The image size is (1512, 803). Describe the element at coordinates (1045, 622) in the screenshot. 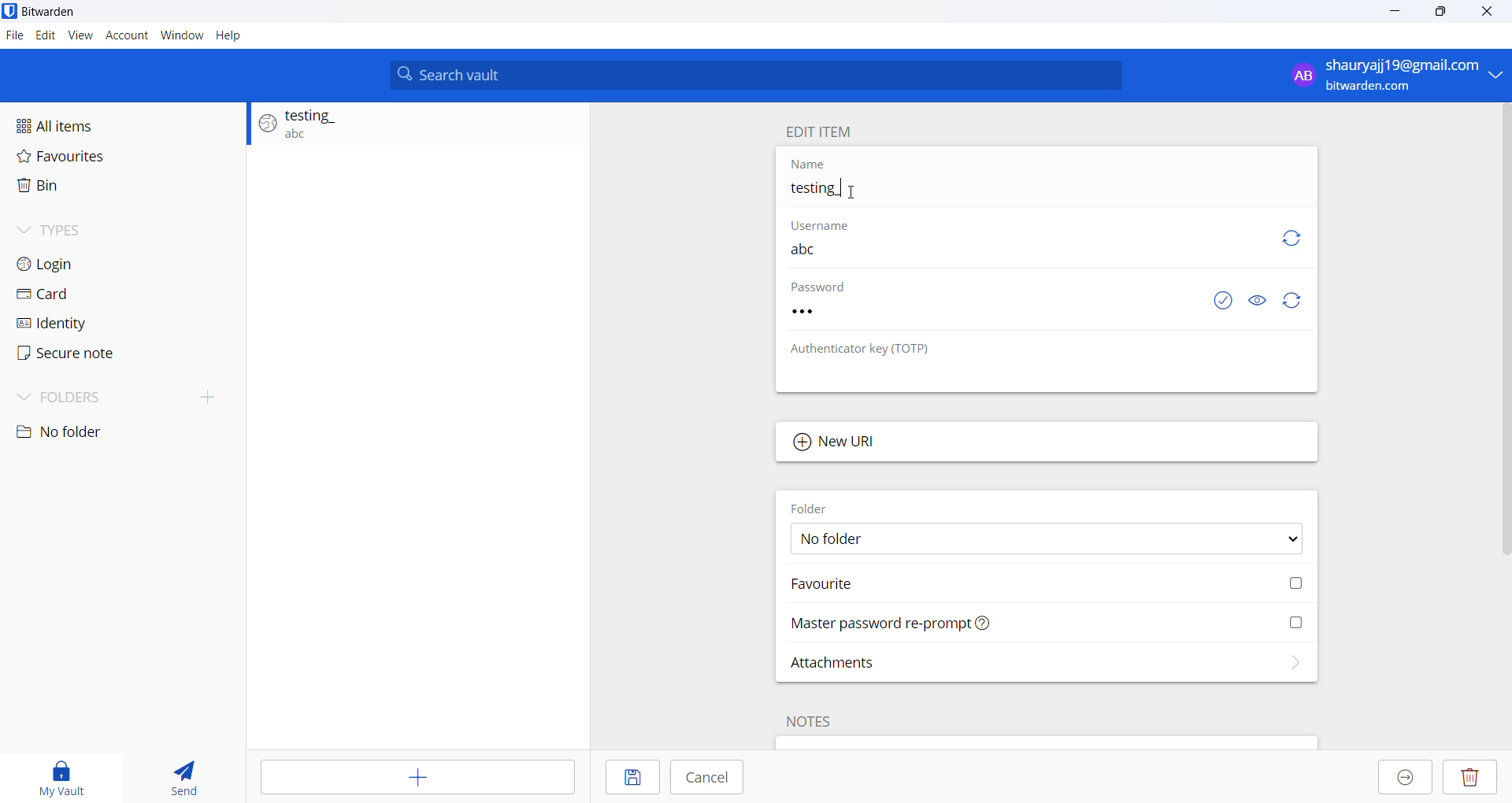

I see `Master password reprompt` at that location.